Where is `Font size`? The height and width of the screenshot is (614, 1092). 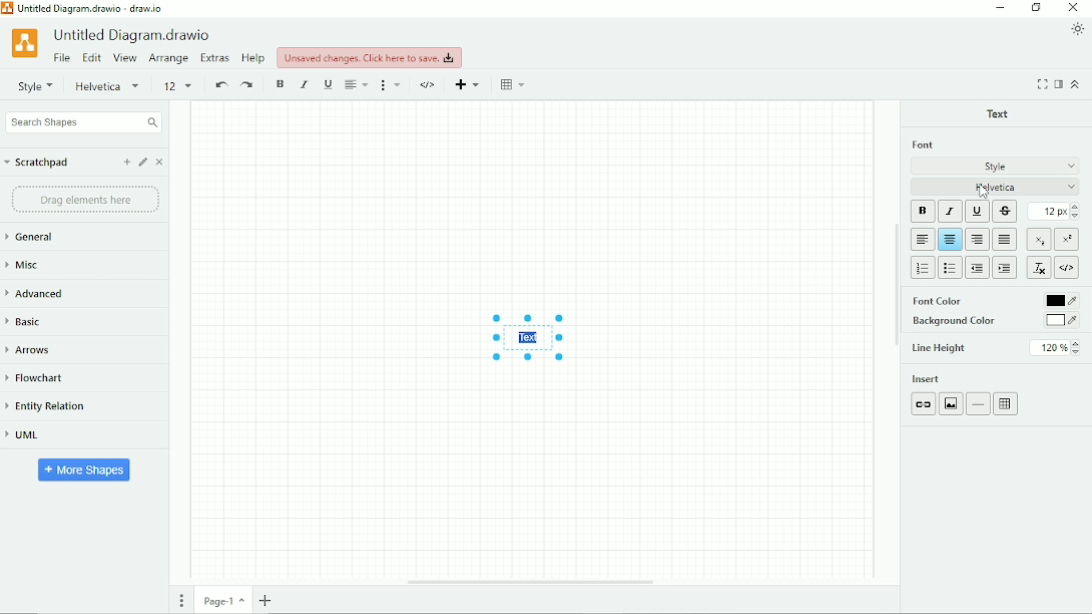 Font size is located at coordinates (1055, 212).